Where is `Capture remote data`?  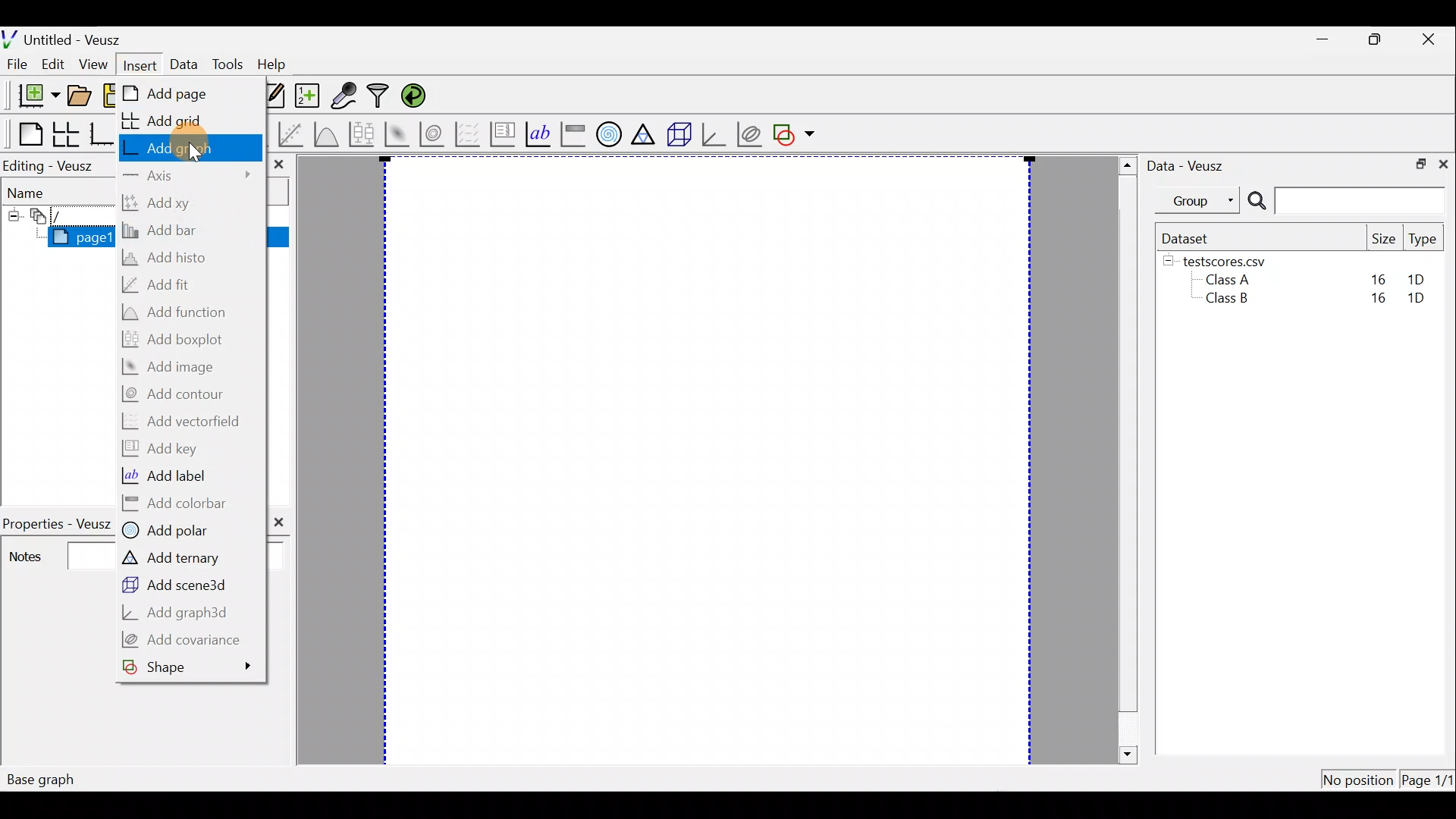 Capture remote data is located at coordinates (346, 96).